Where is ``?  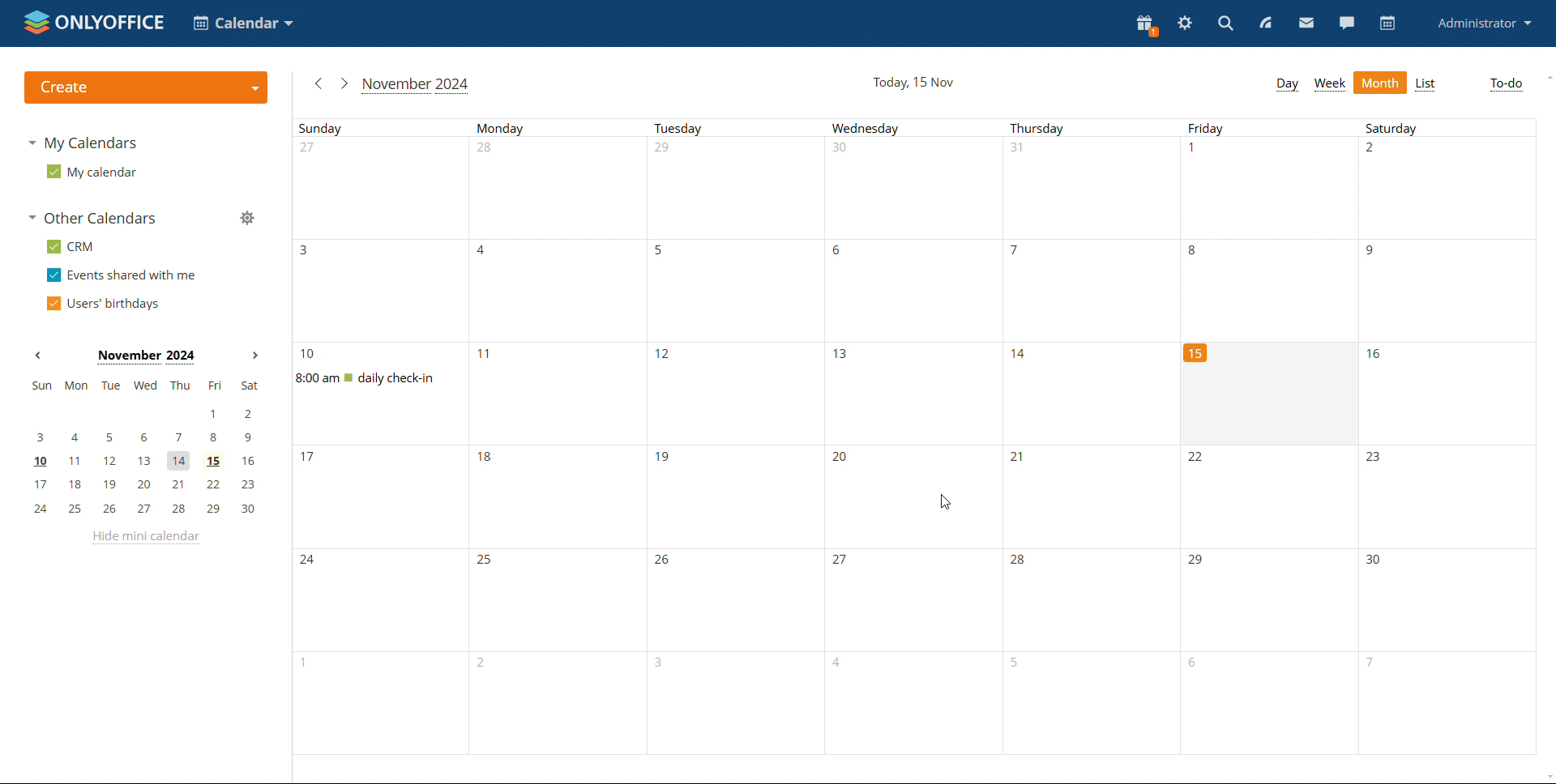
 is located at coordinates (310, 561).